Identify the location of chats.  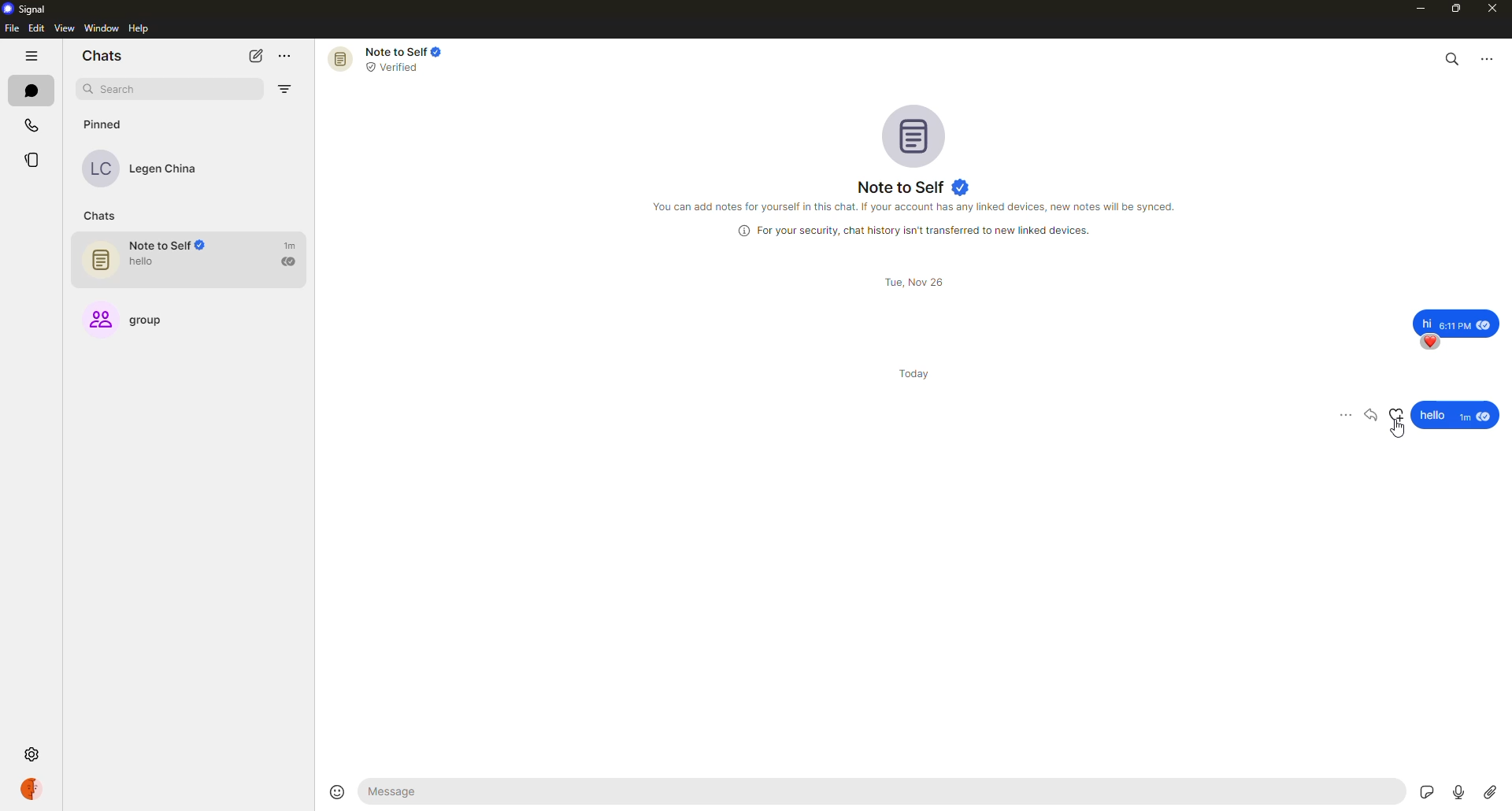
(104, 216).